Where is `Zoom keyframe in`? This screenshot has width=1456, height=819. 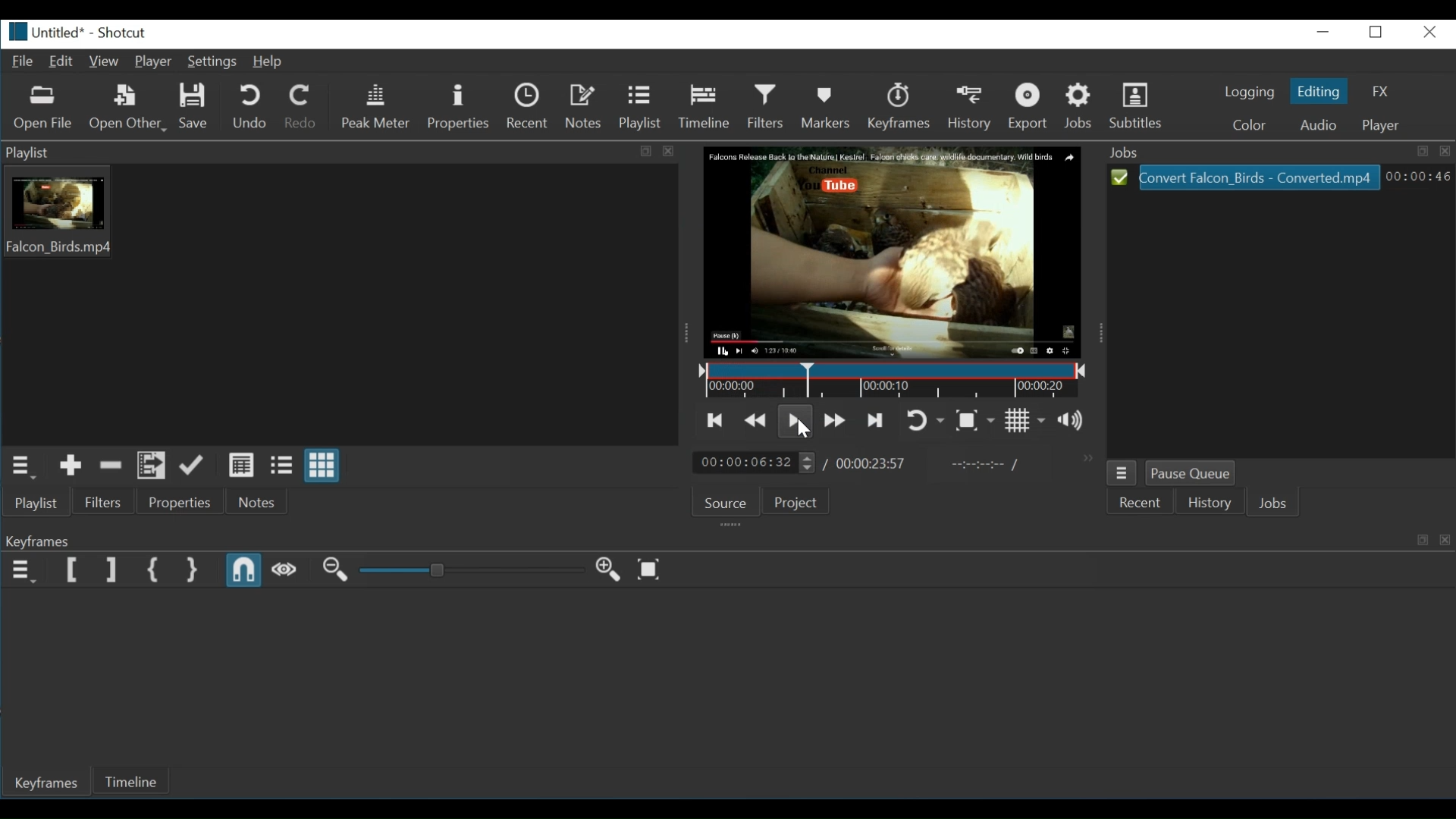 Zoom keyframe in is located at coordinates (607, 569).